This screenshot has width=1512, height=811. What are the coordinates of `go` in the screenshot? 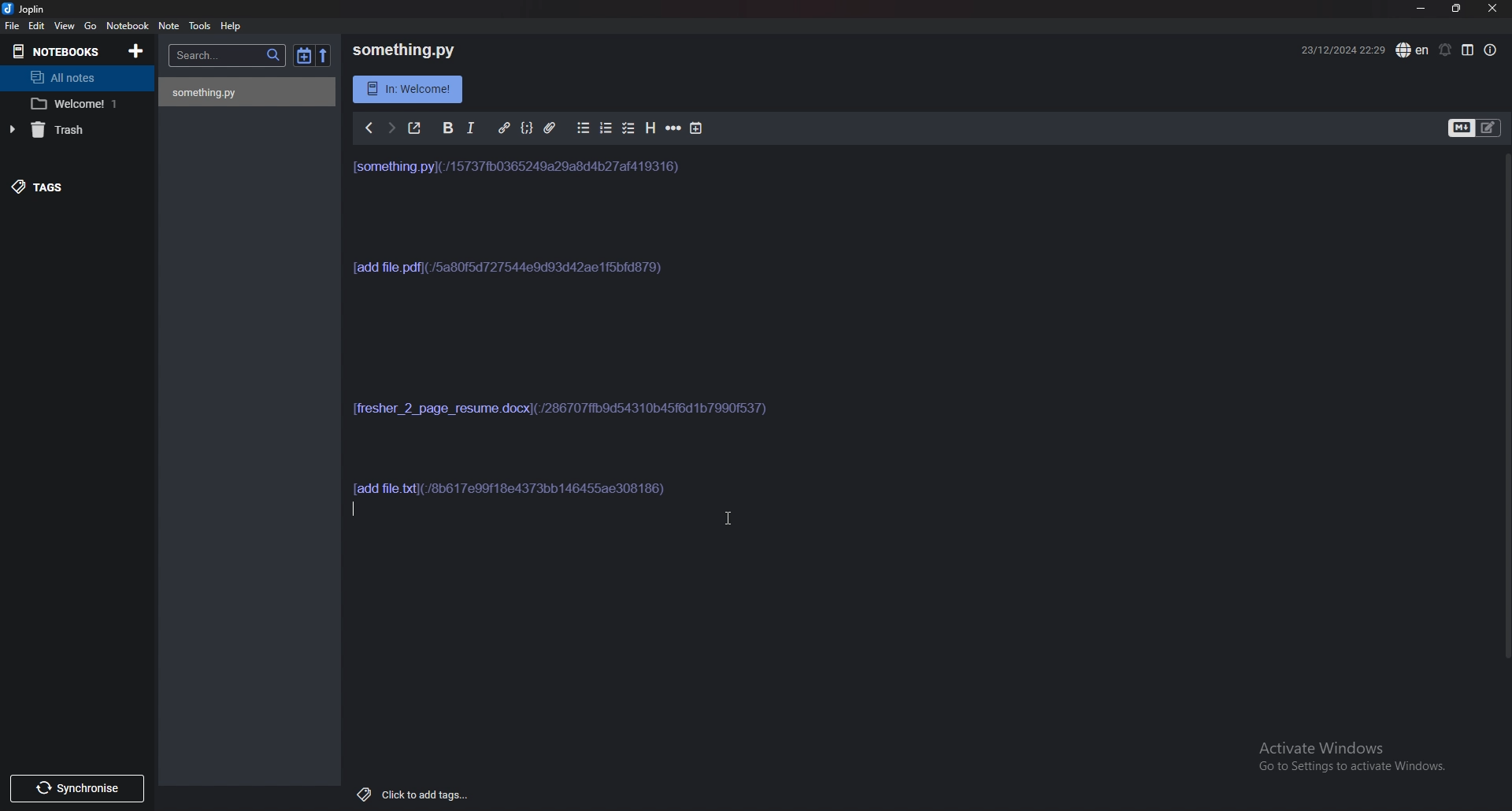 It's located at (90, 26).